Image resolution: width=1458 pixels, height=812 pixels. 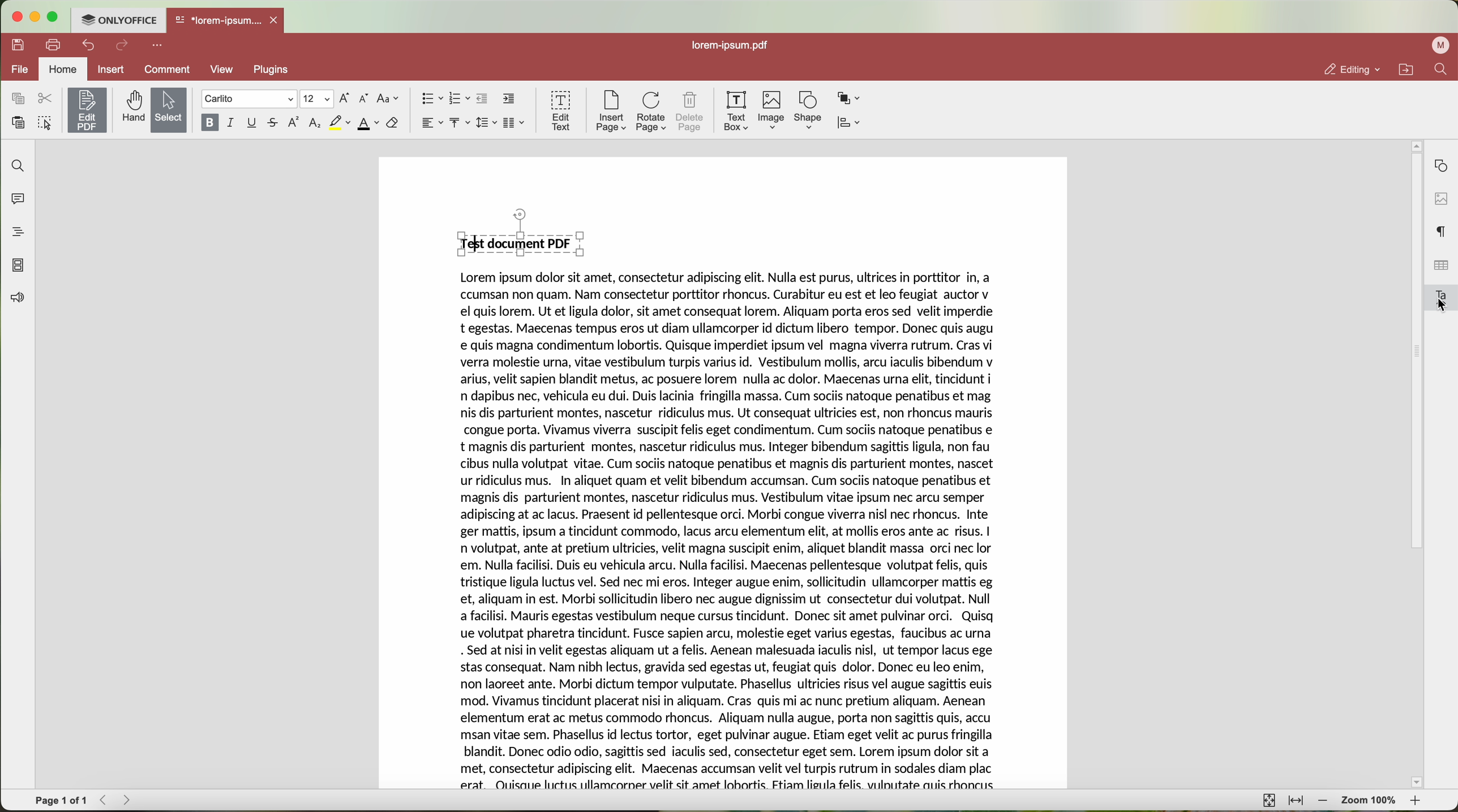 I want to click on paste, so click(x=18, y=122).